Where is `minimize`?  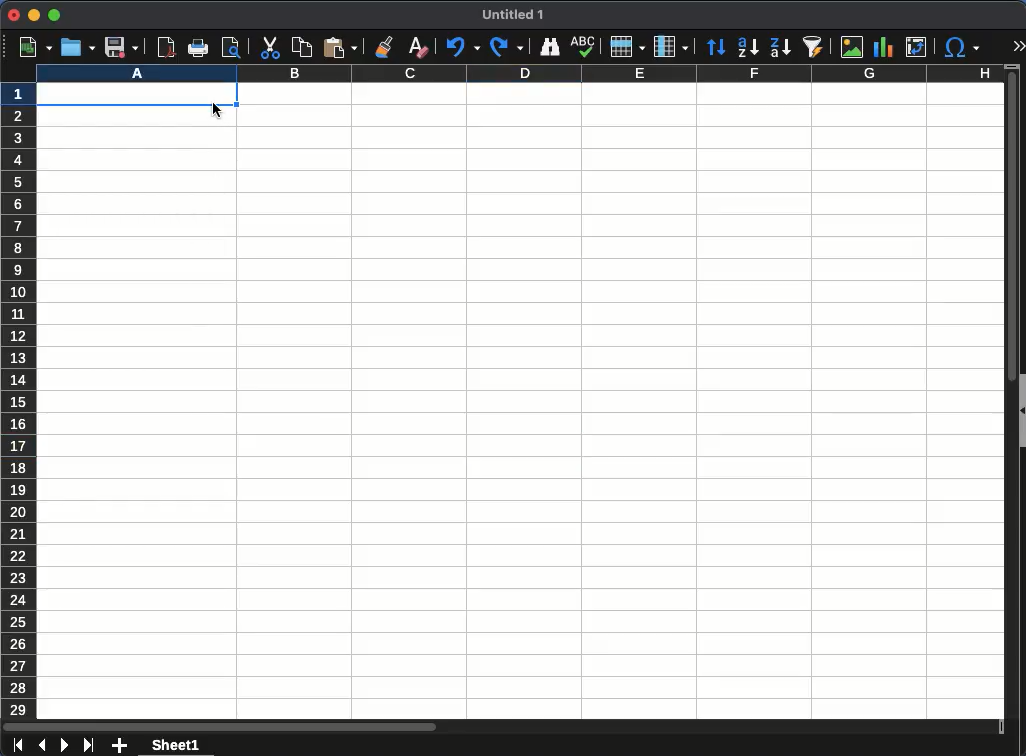
minimize is located at coordinates (34, 15).